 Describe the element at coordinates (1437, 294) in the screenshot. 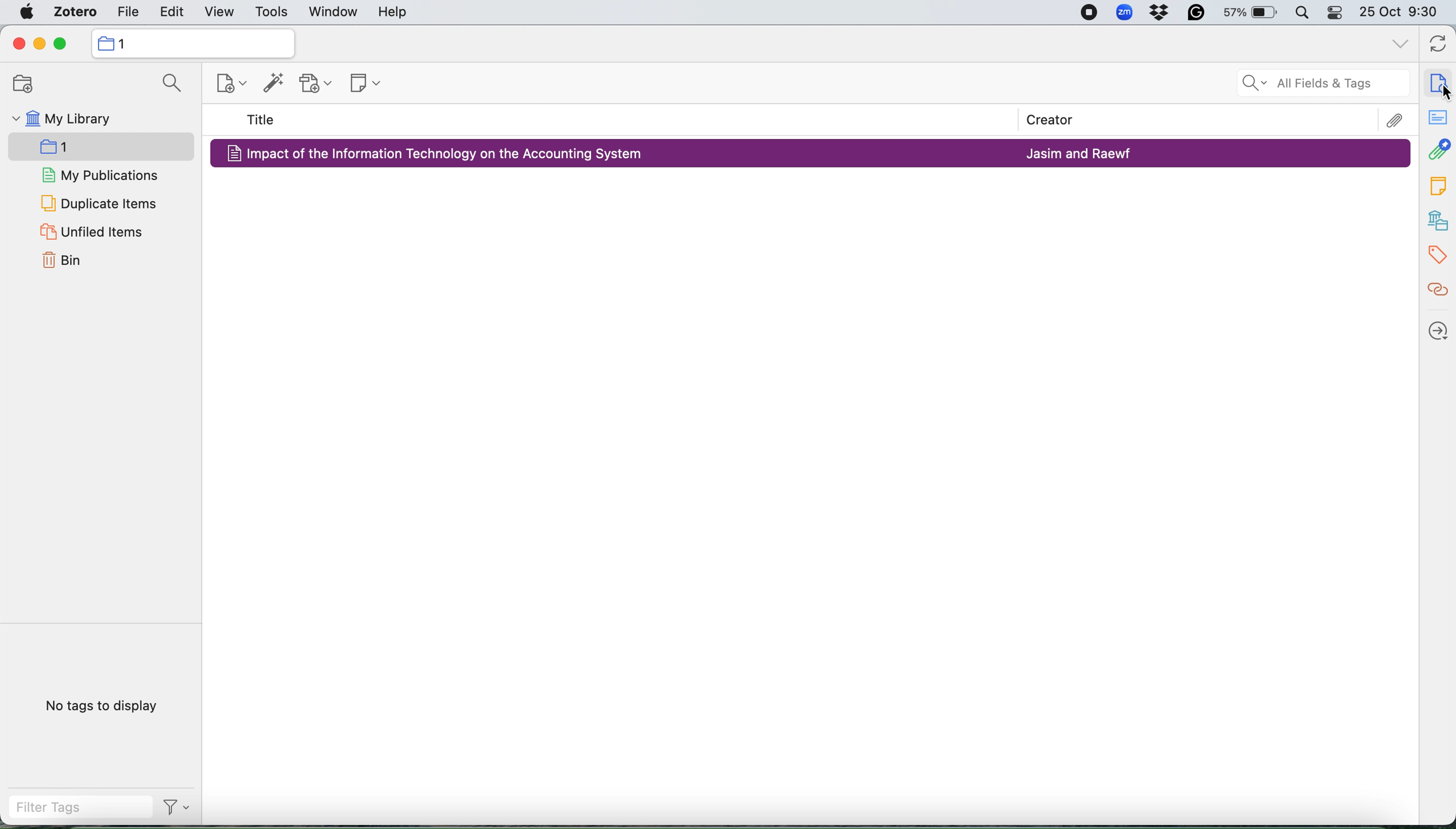

I see `related` at that location.